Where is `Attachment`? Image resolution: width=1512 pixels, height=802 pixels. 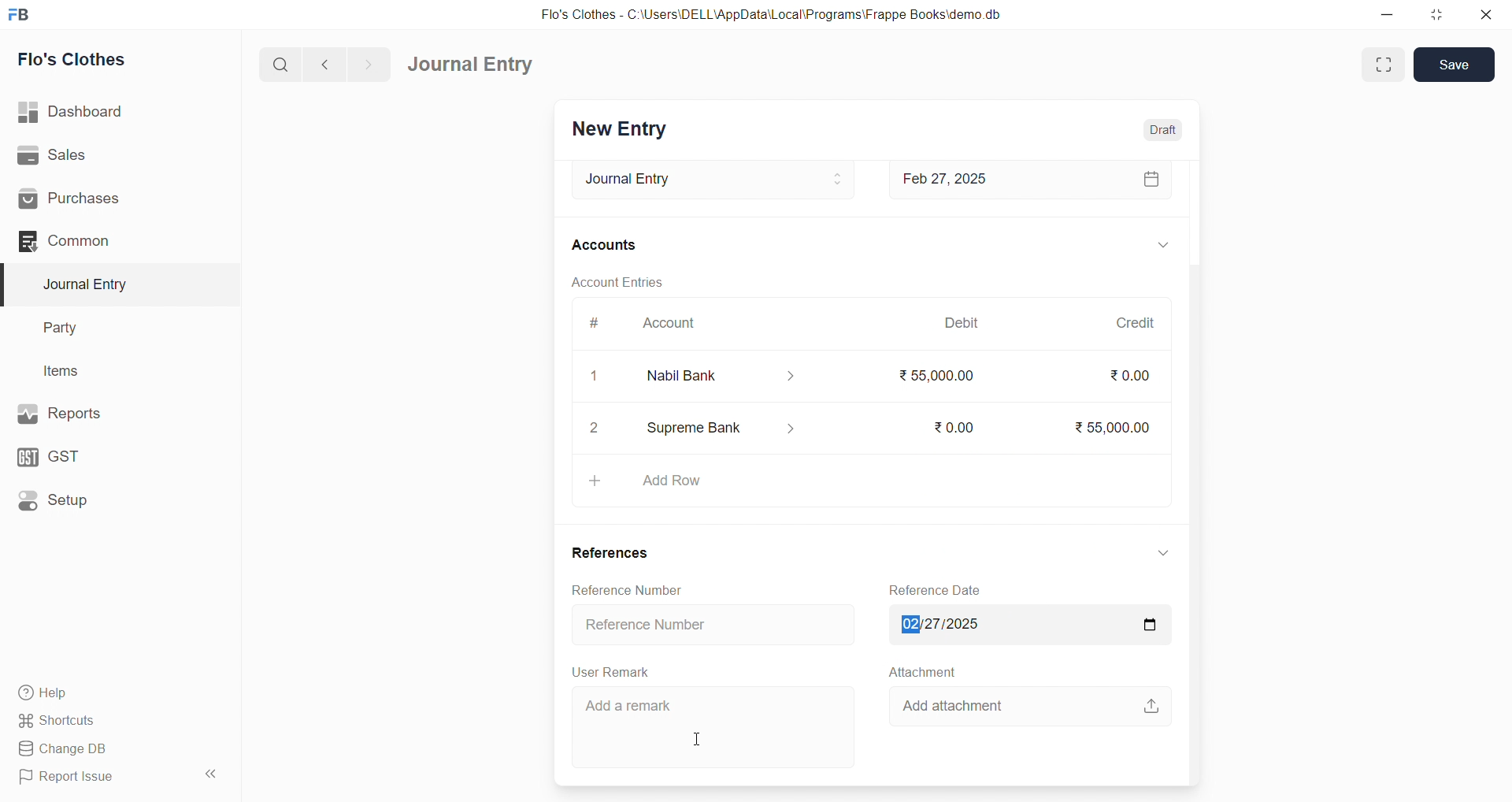 Attachment is located at coordinates (922, 672).